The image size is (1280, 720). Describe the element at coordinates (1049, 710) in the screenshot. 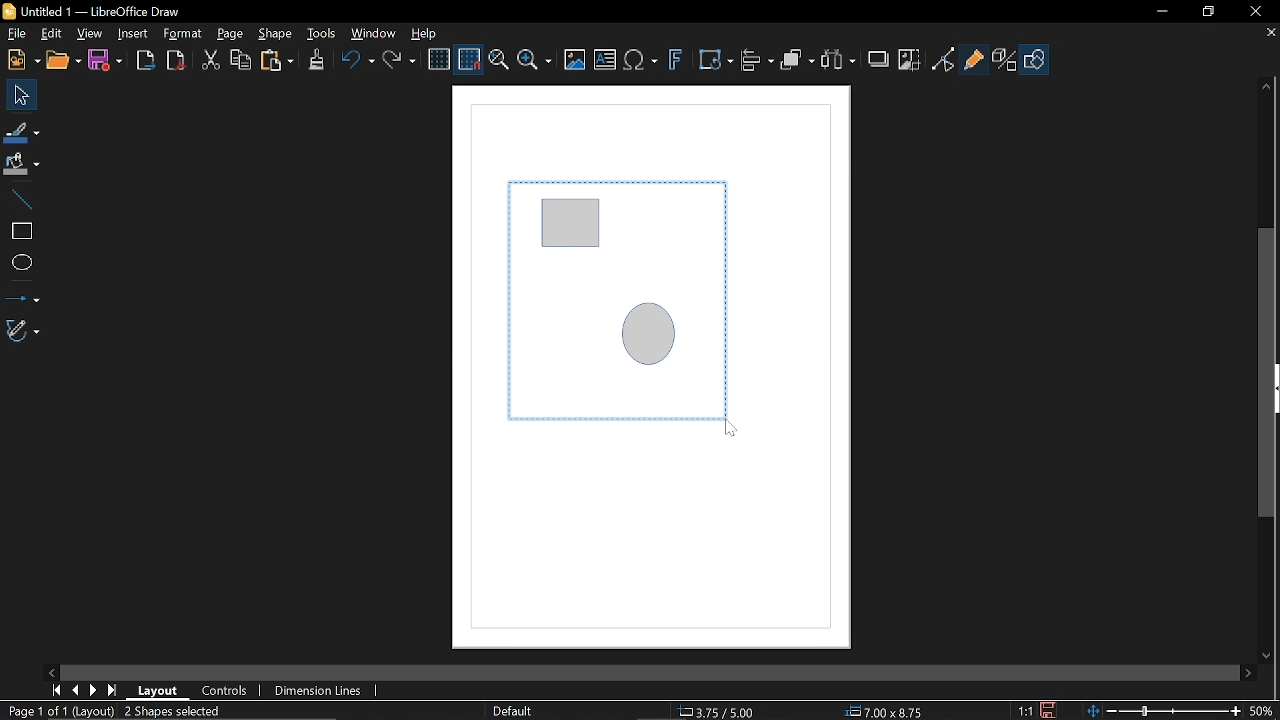

I see `Save` at that location.